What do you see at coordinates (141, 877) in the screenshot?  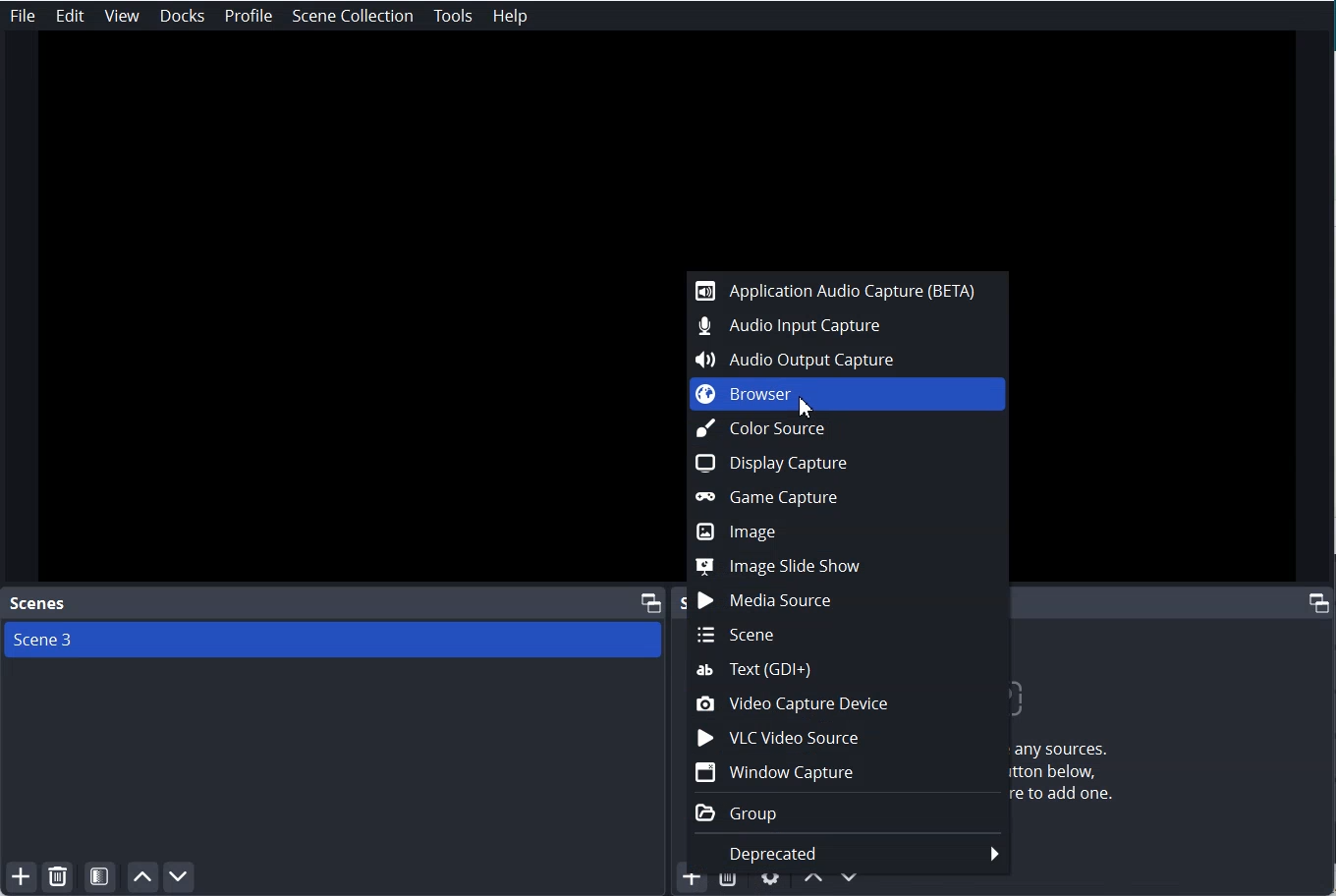 I see `Move scene up` at bounding box center [141, 877].